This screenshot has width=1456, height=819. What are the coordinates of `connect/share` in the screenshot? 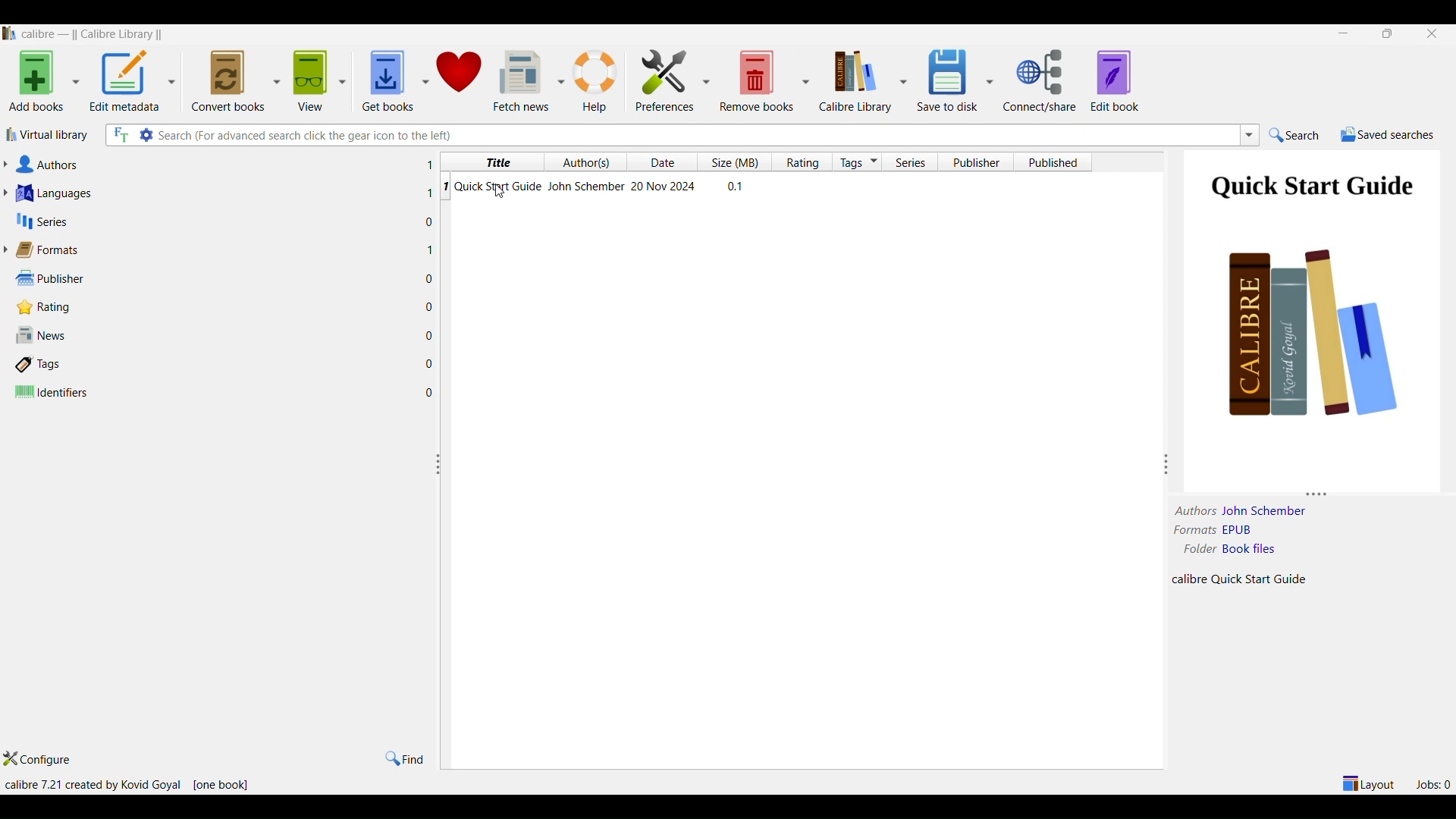 It's located at (1043, 82).